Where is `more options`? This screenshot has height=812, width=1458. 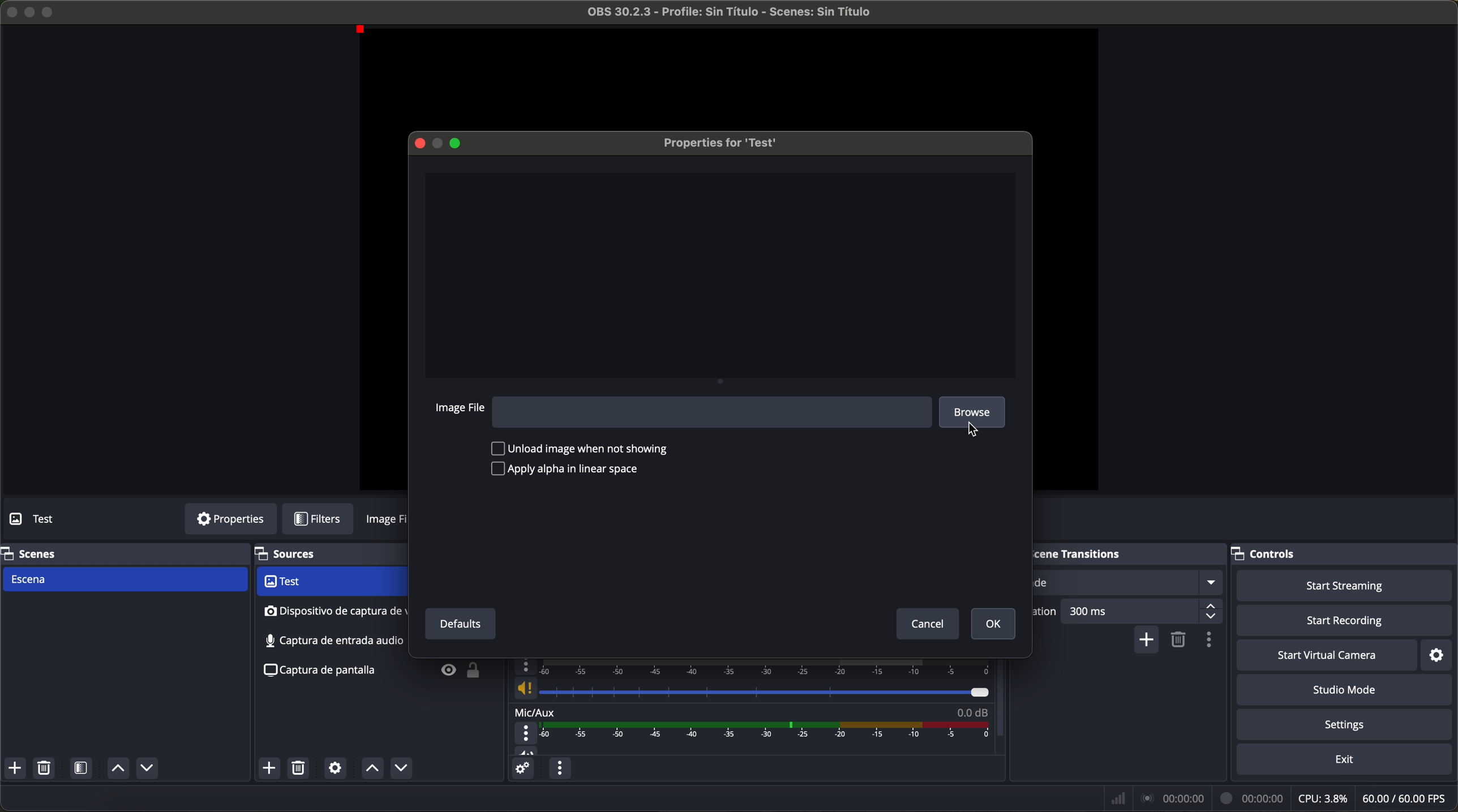
more options is located at coordinates (527, 733).